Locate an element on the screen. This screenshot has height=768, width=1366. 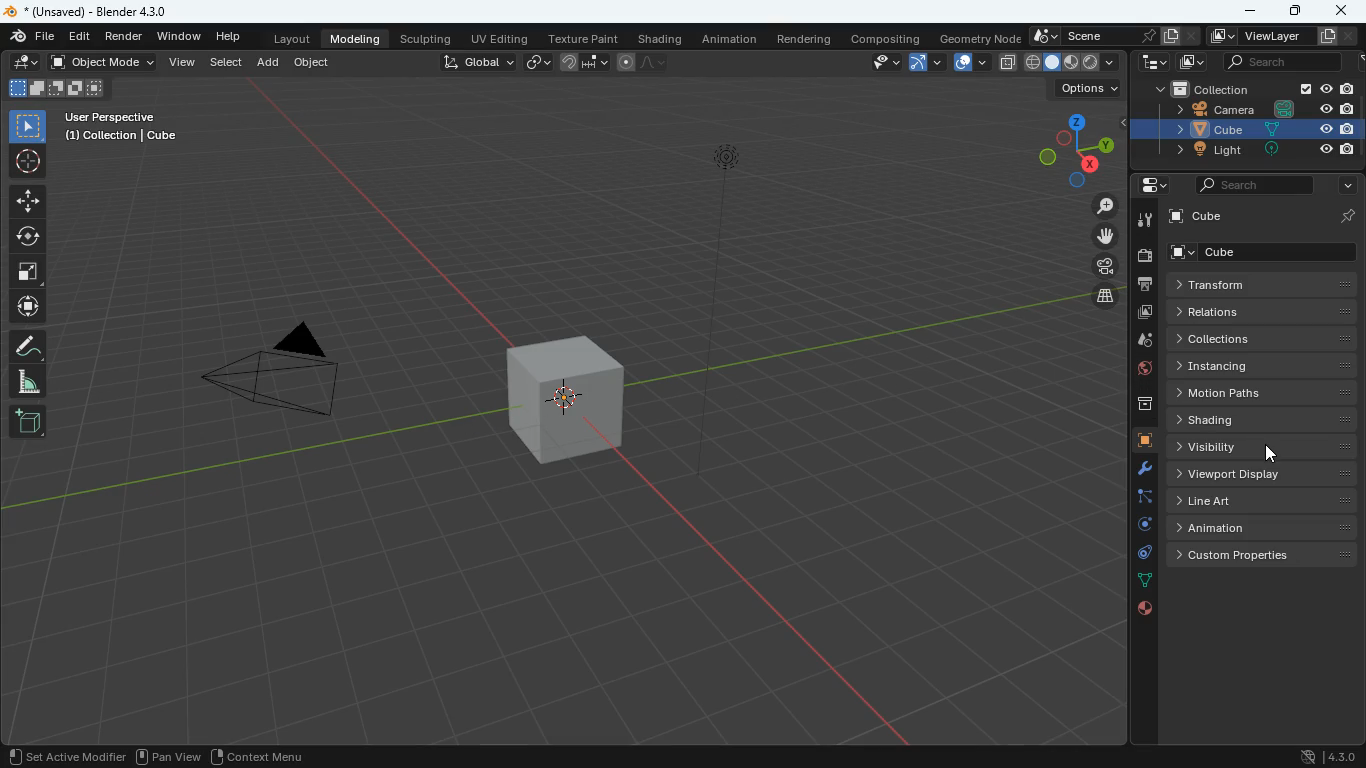
collection is located at coordinates (1246, 88).